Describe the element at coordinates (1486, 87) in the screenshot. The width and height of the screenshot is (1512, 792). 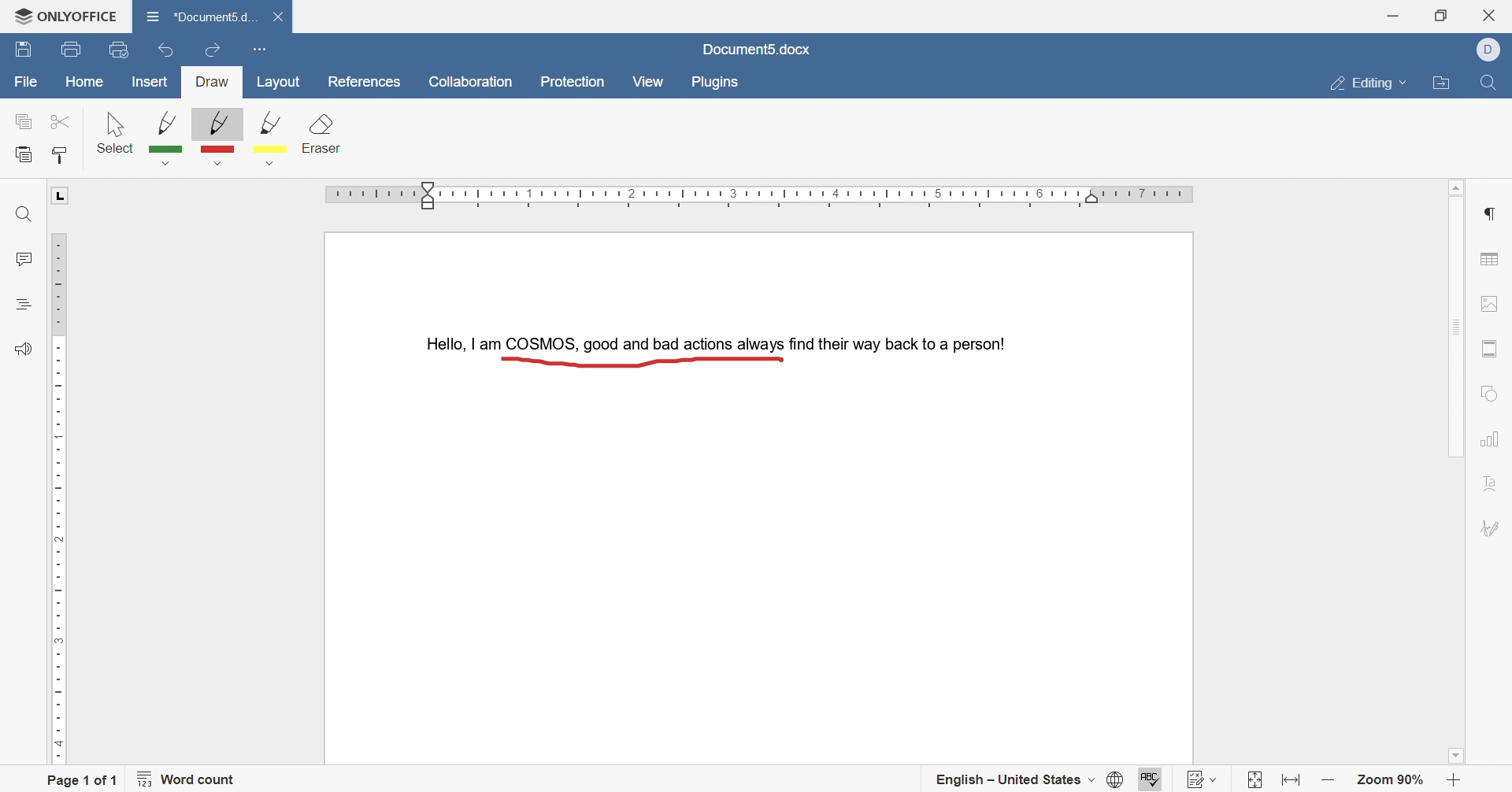
I see `find` at that location.